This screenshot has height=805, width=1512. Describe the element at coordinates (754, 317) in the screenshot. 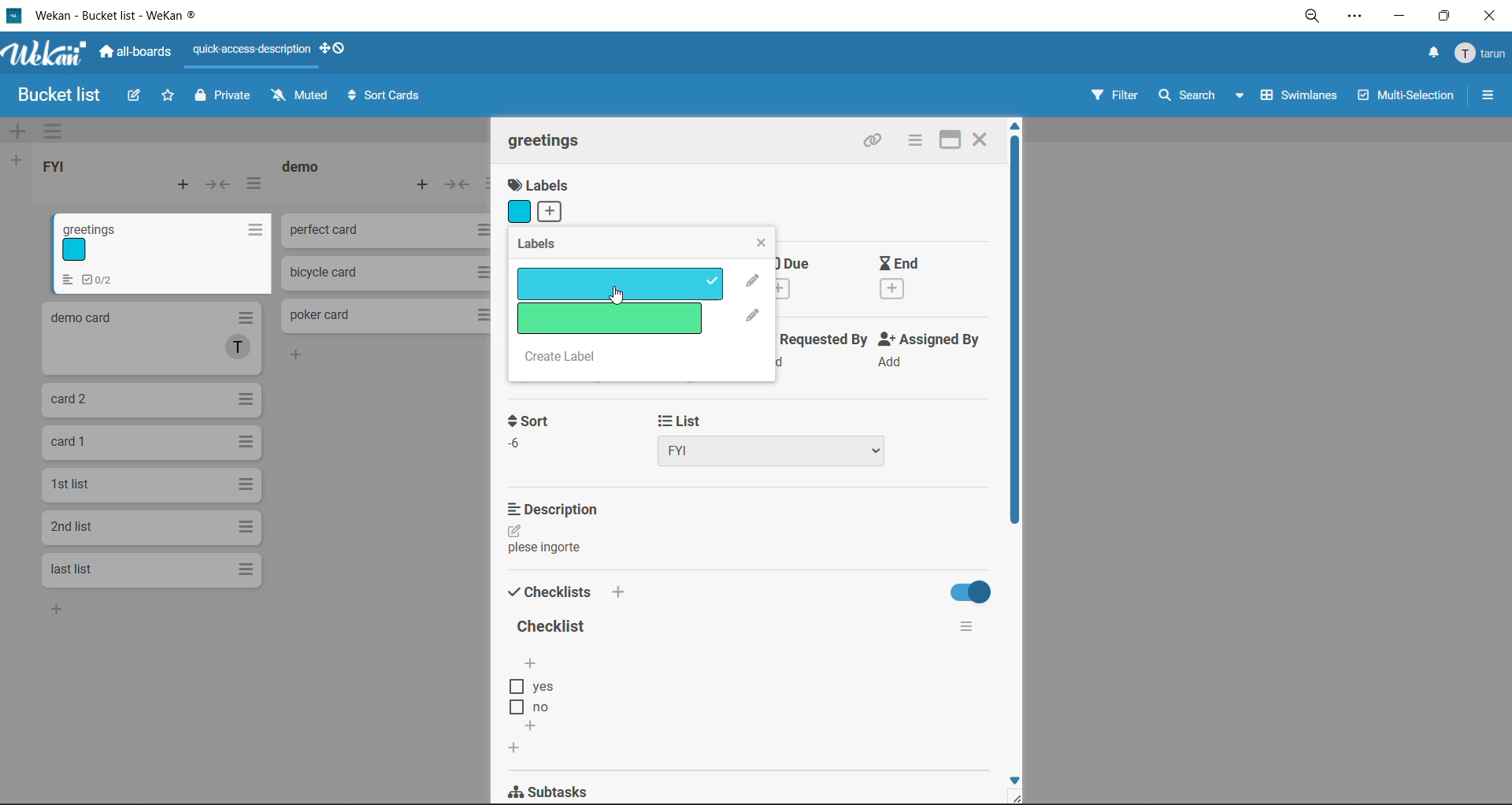

I see `edit label` at that location.